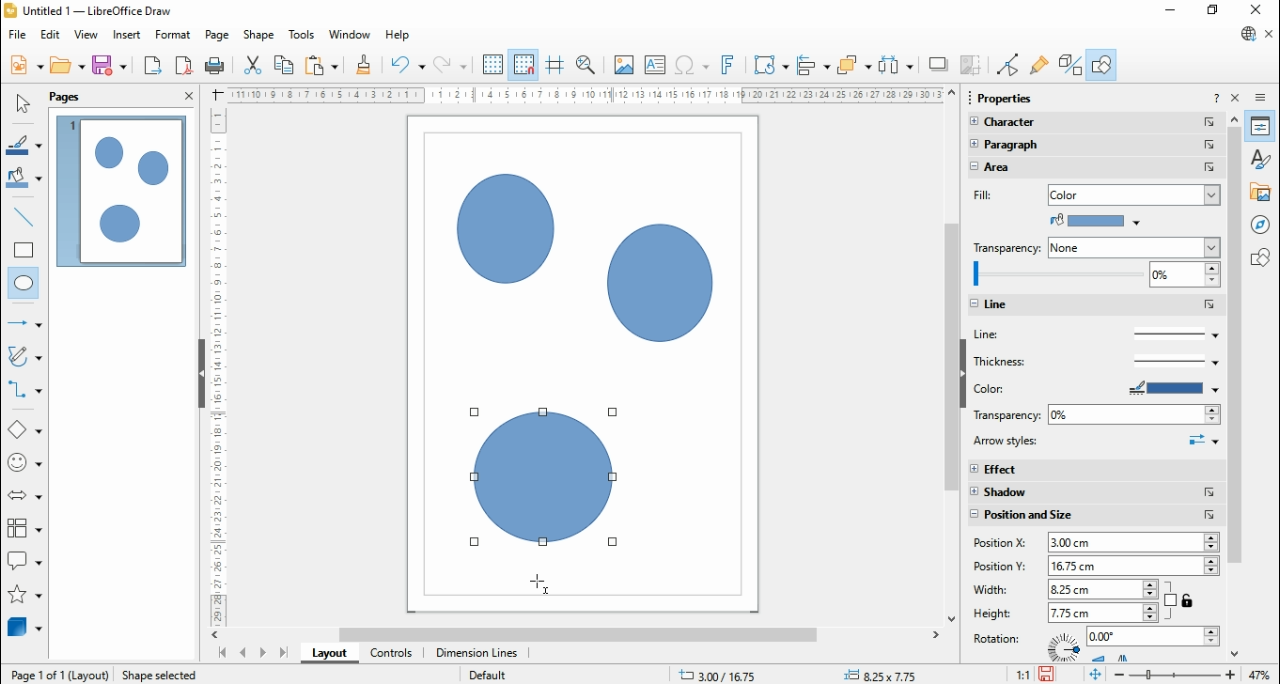  I want to click on edit, so click(50, 35).